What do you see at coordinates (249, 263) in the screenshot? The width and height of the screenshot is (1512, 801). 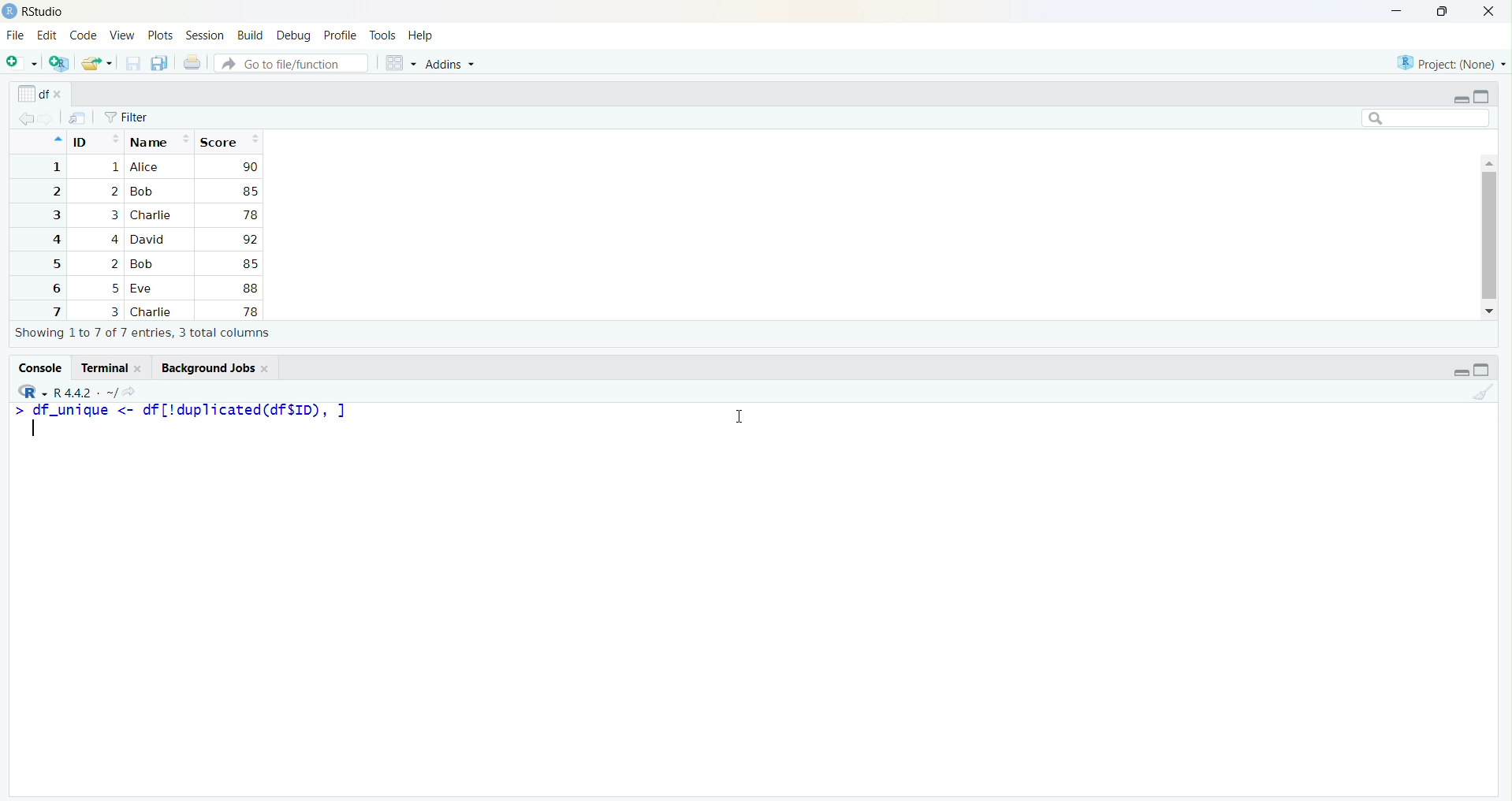 I see `85` at bounding box center [249, 263].